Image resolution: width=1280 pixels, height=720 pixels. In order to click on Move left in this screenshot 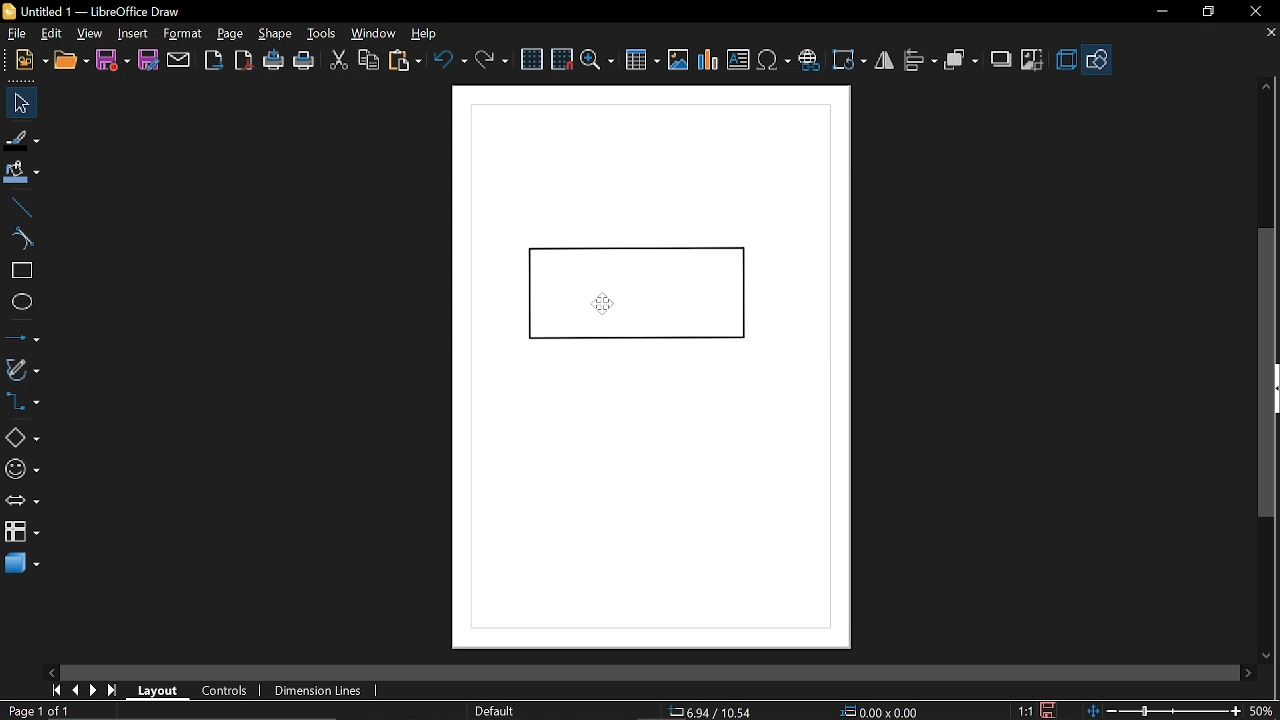, I will do `click(54, 670)`.